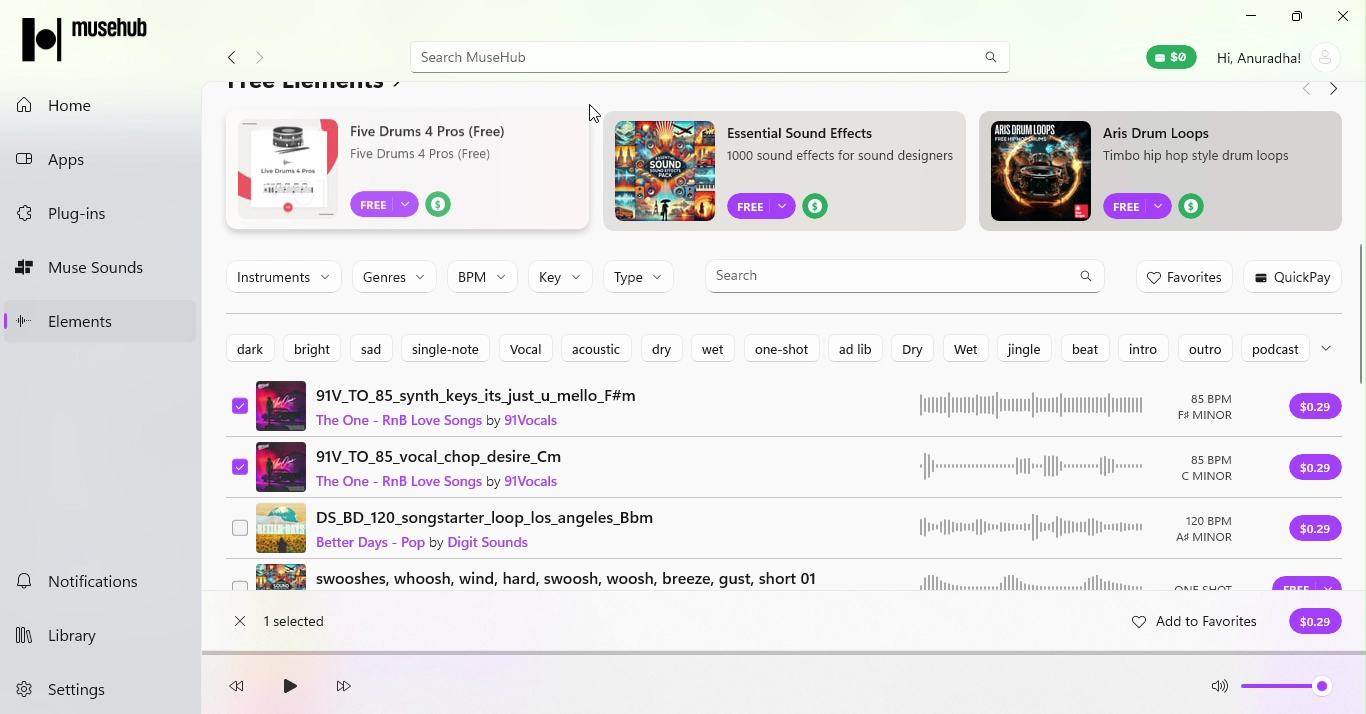 This screenshot has width=1366, height=714. What do you see at coordinates (755, 528) in the screenshot?
I see `DS_BD_120_songstarter_loop_los_angeles_bbm` at bounding box center [755, 528].